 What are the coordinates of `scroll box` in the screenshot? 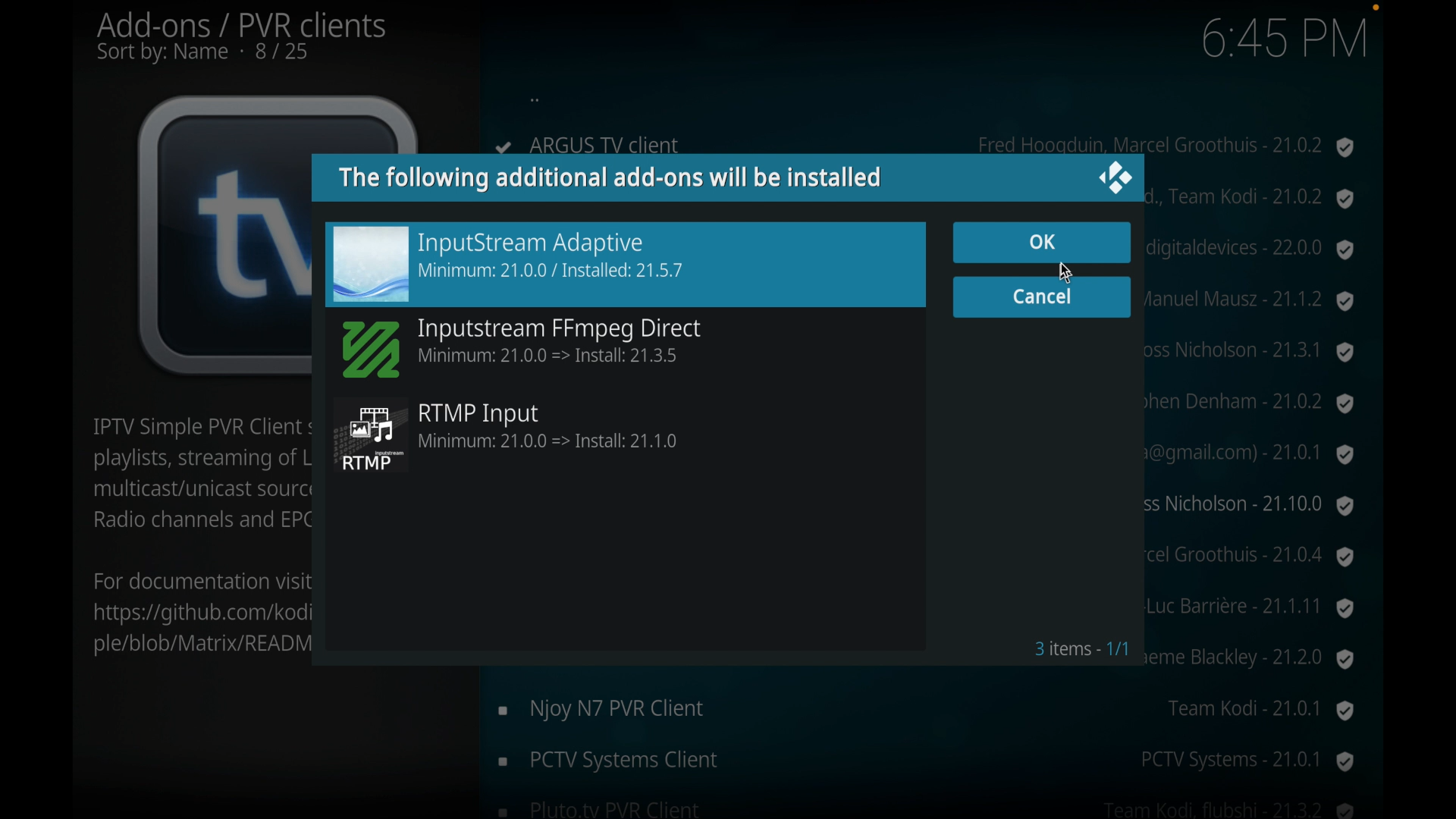 It's located at (1382, 272).